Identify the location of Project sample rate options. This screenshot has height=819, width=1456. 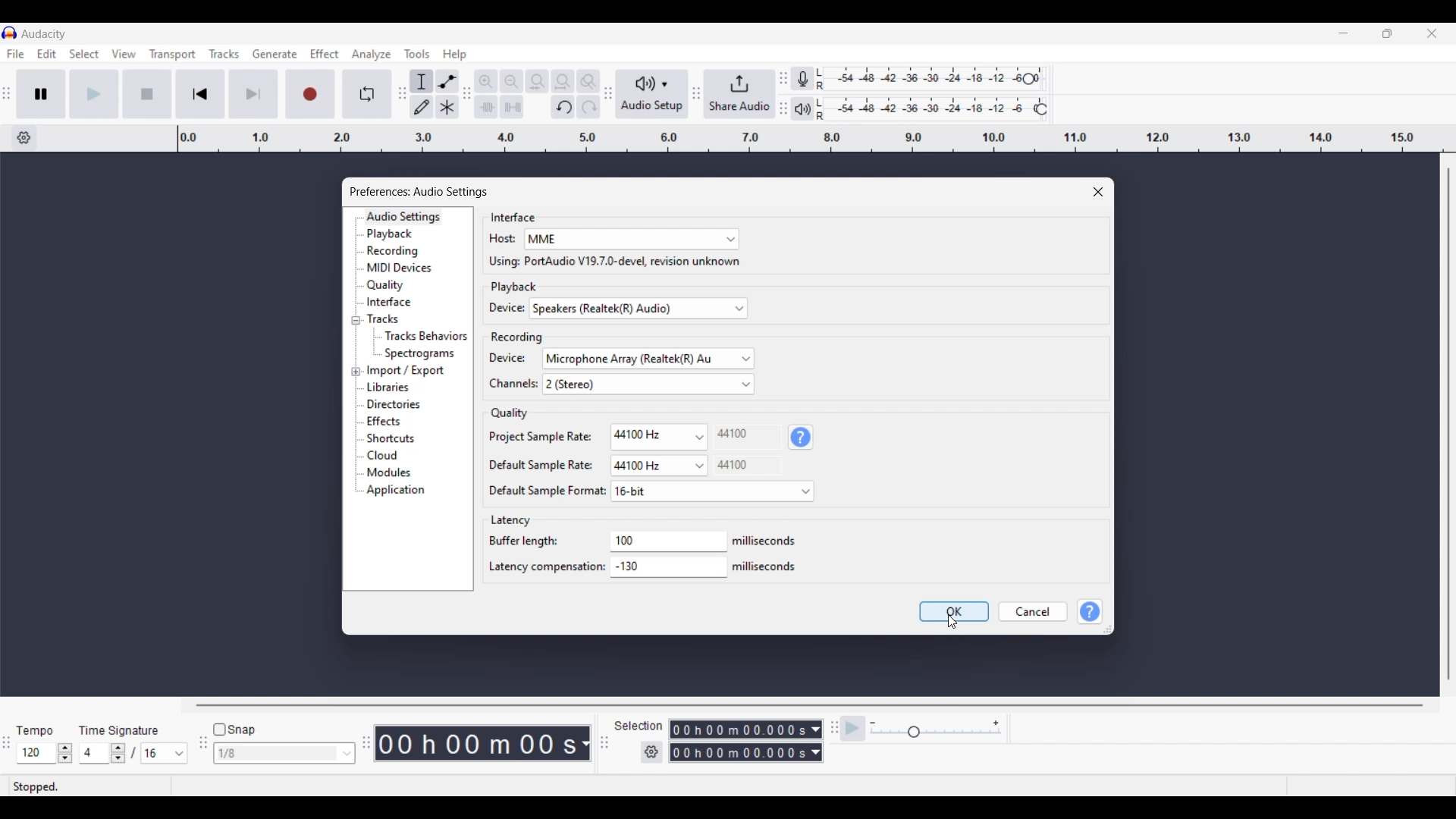
(657, 435).